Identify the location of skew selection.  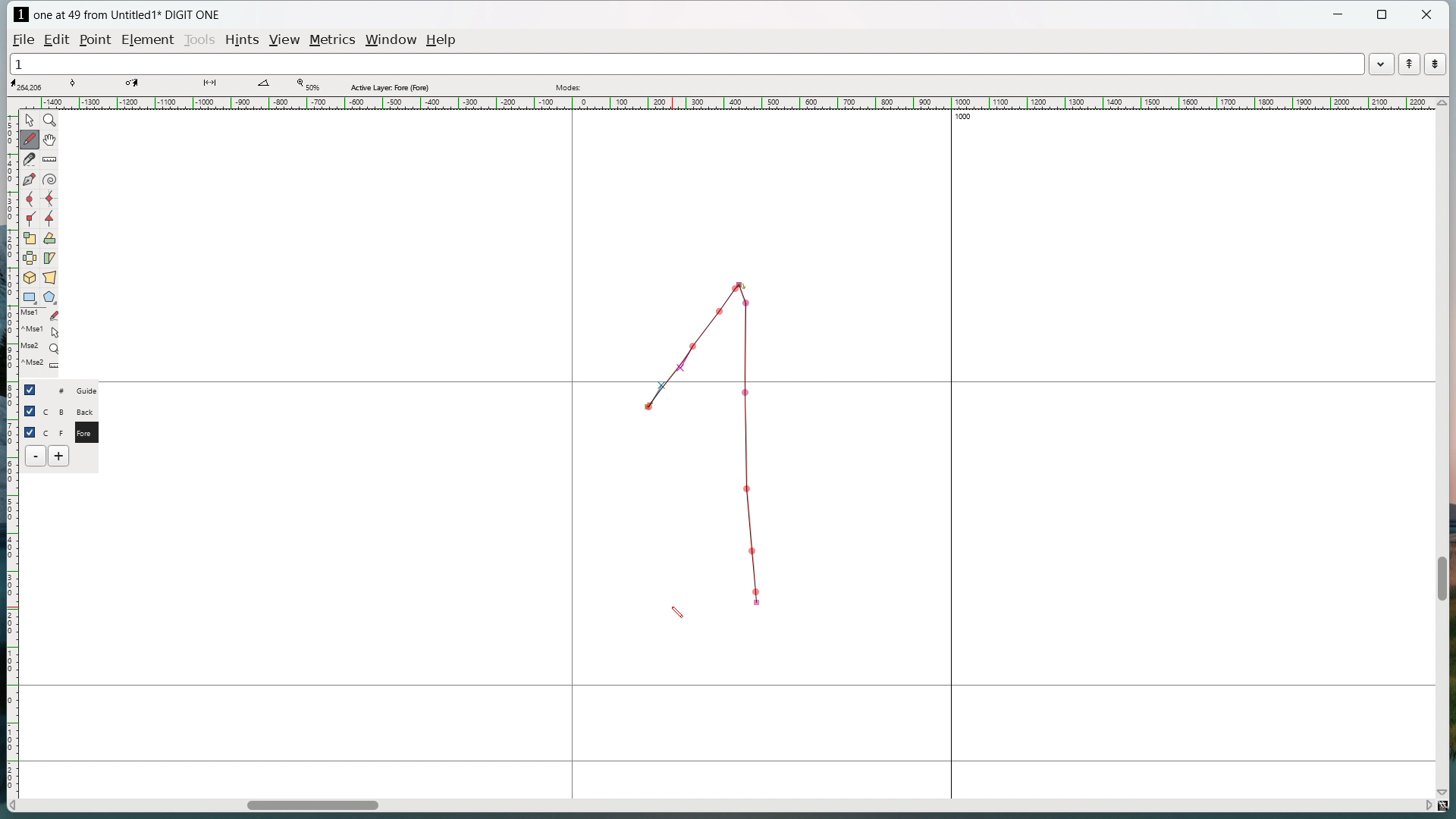
(50, 258).